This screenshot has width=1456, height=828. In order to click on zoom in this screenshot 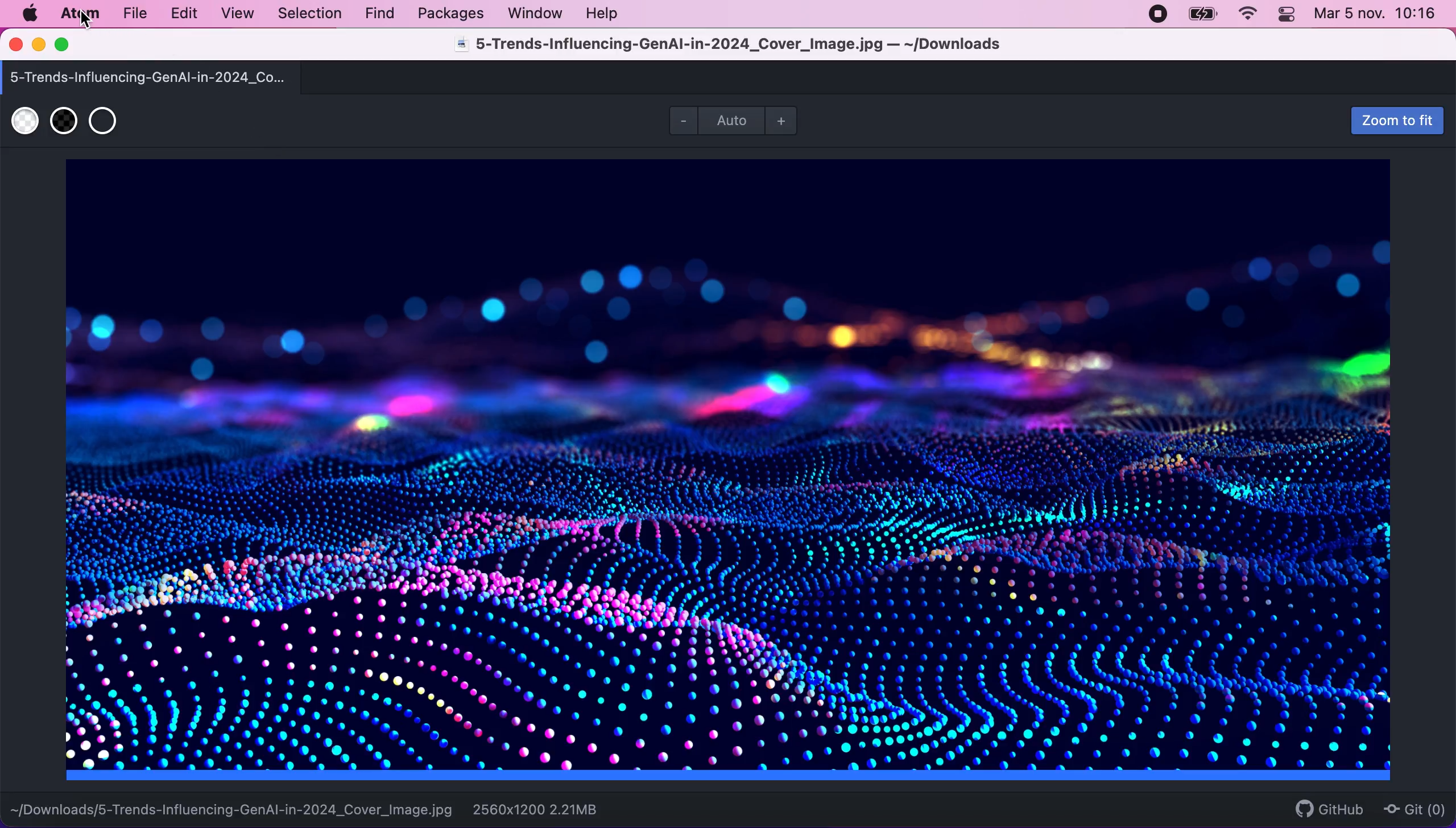, I will do `click(739, 120)`.